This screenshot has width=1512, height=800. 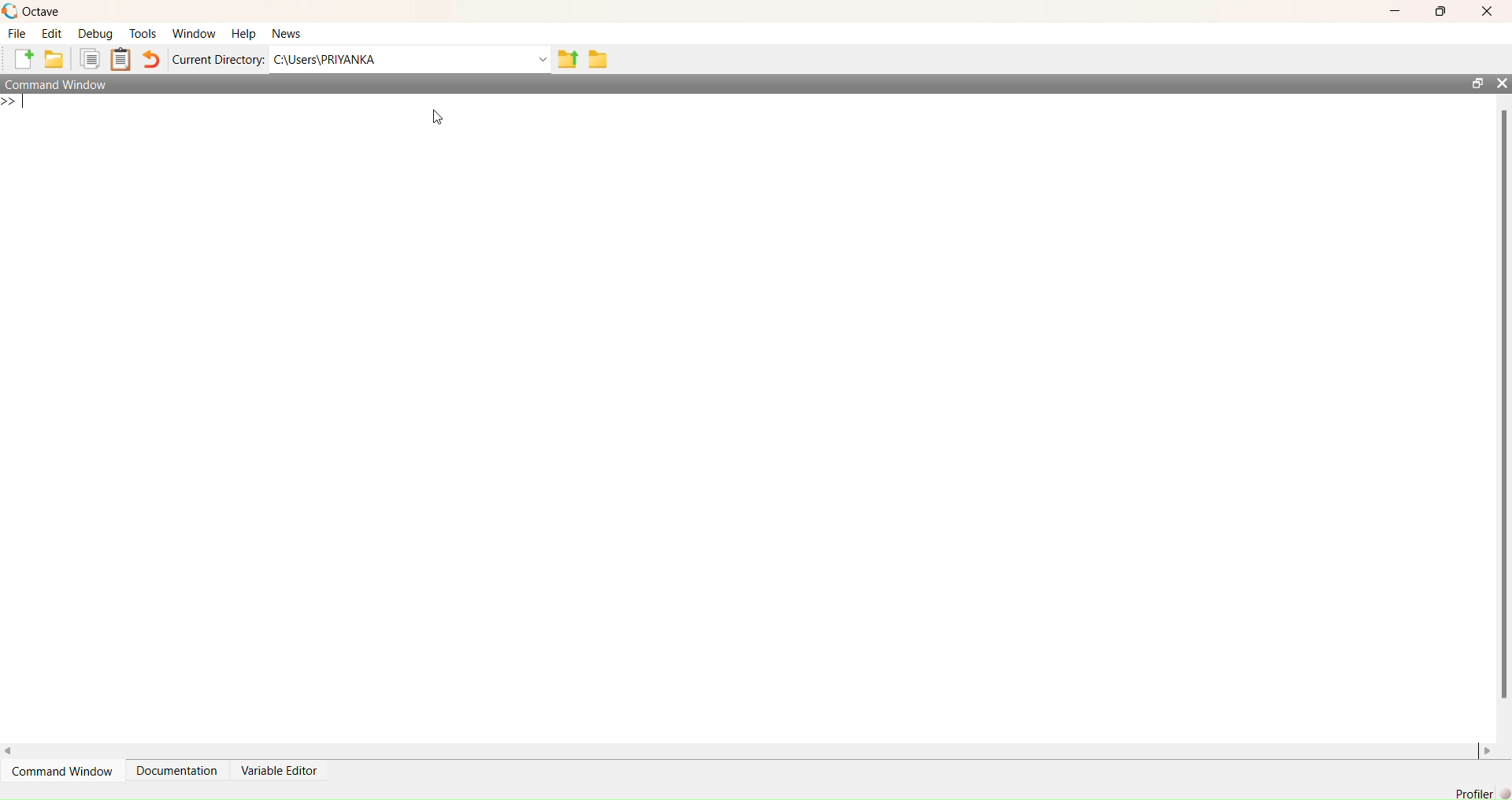 I want to click on add file, so click(x=24, y=58).